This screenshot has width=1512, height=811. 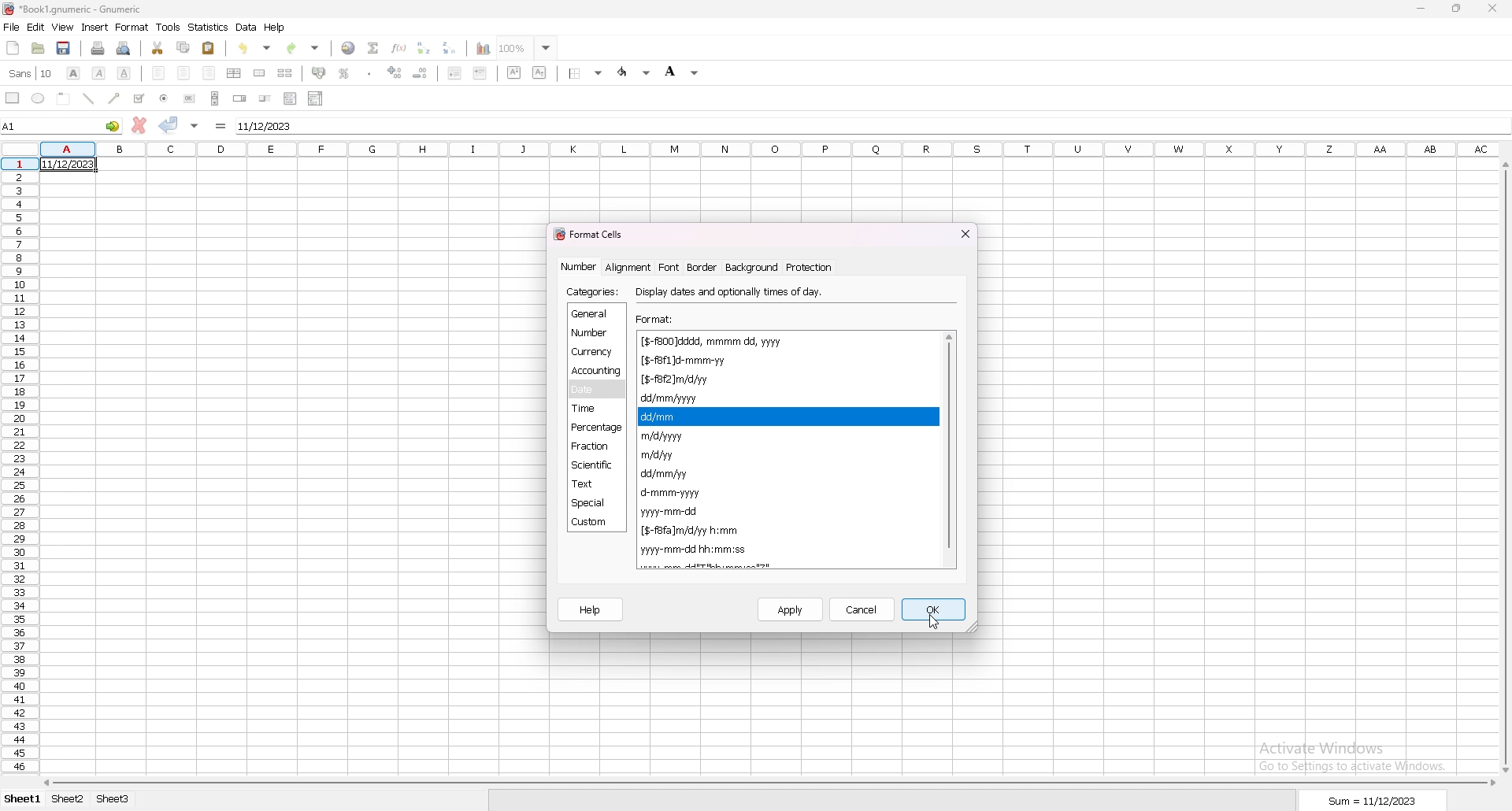 I want to click on thousands separator, so click(x=370, y=72).